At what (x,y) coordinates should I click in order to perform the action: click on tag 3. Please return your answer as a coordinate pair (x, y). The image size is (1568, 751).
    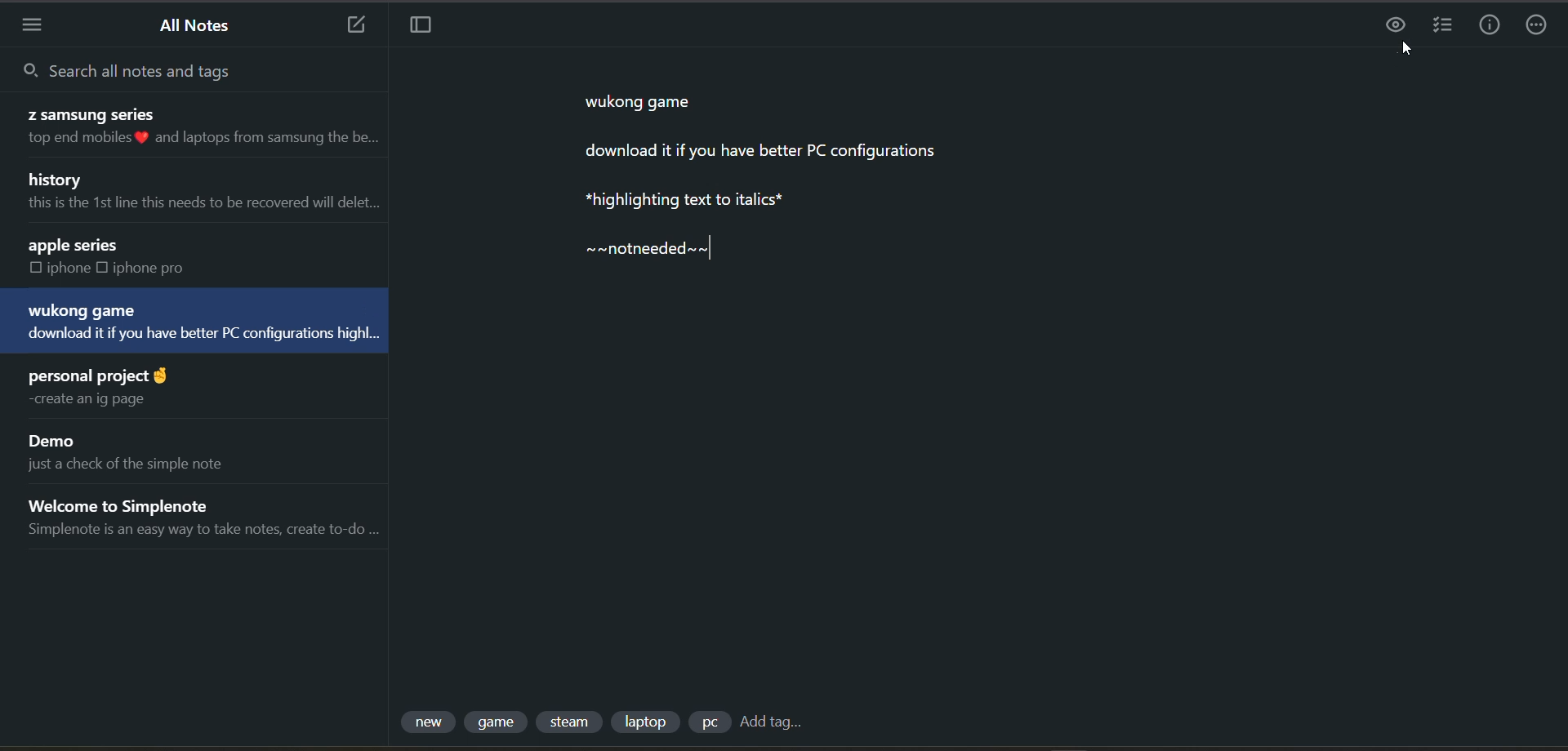
    Looking at the image, I should click on (572, 722).